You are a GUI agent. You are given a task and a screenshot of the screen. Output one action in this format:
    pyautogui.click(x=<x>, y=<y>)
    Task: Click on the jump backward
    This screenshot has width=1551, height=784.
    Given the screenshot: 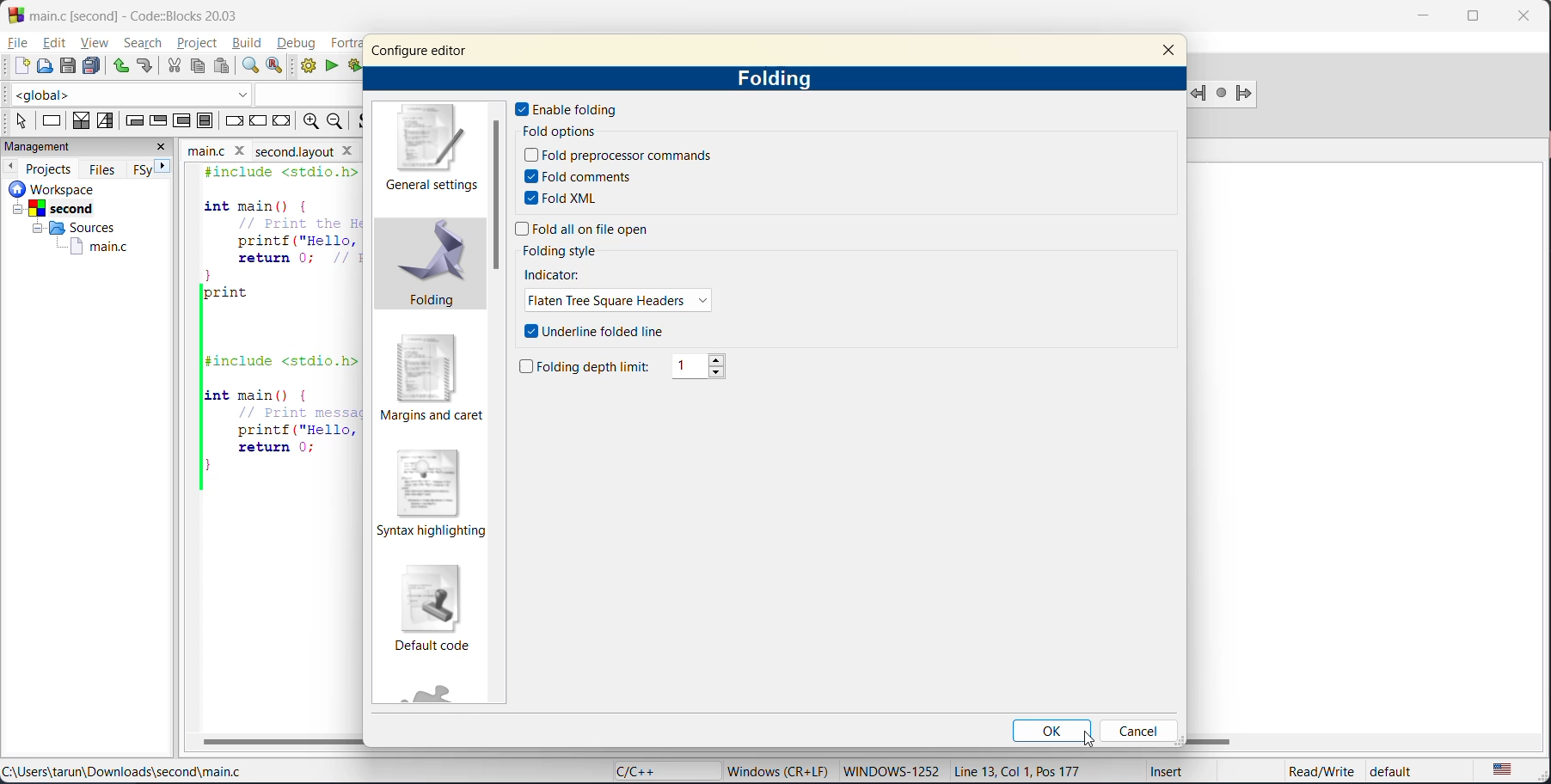 What is the action you would take?
    pyautogui.click(x=1200, y=93)
    